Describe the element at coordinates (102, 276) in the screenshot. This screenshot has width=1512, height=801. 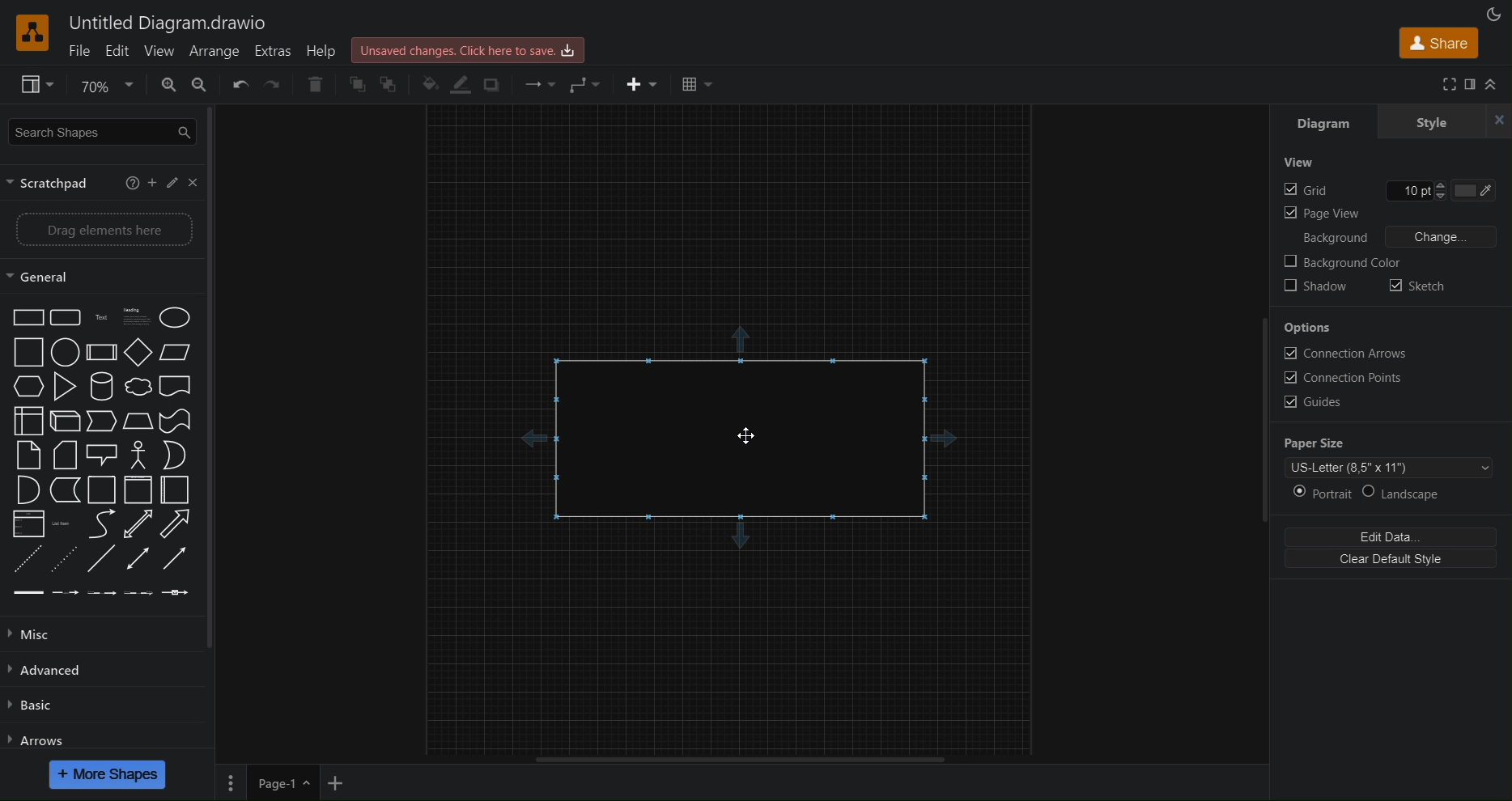
I see `General` at that location.